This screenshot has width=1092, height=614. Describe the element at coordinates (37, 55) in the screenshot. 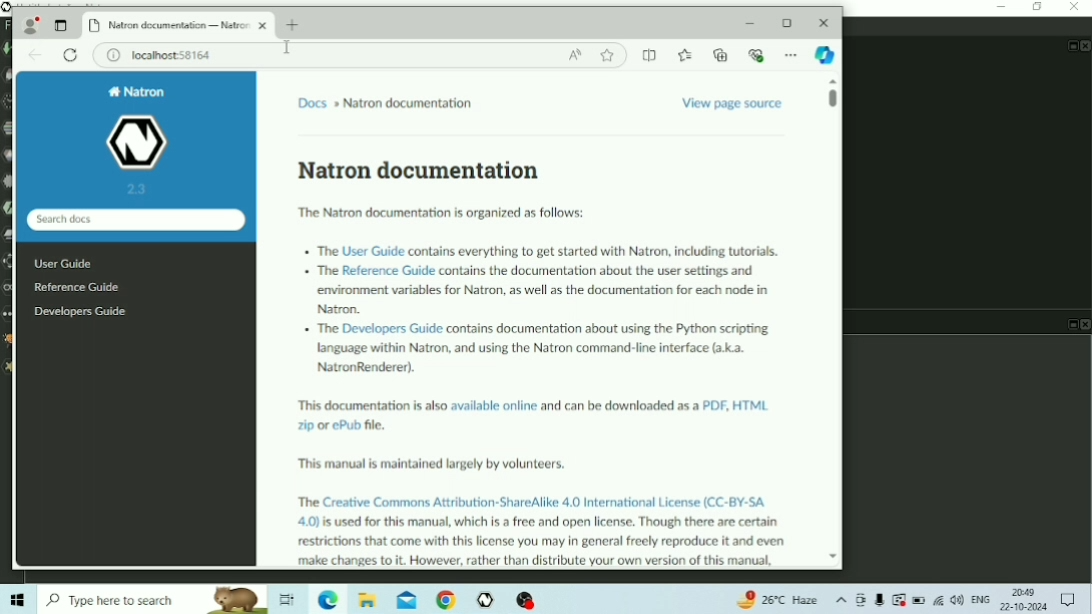

I see `Back` at that location.